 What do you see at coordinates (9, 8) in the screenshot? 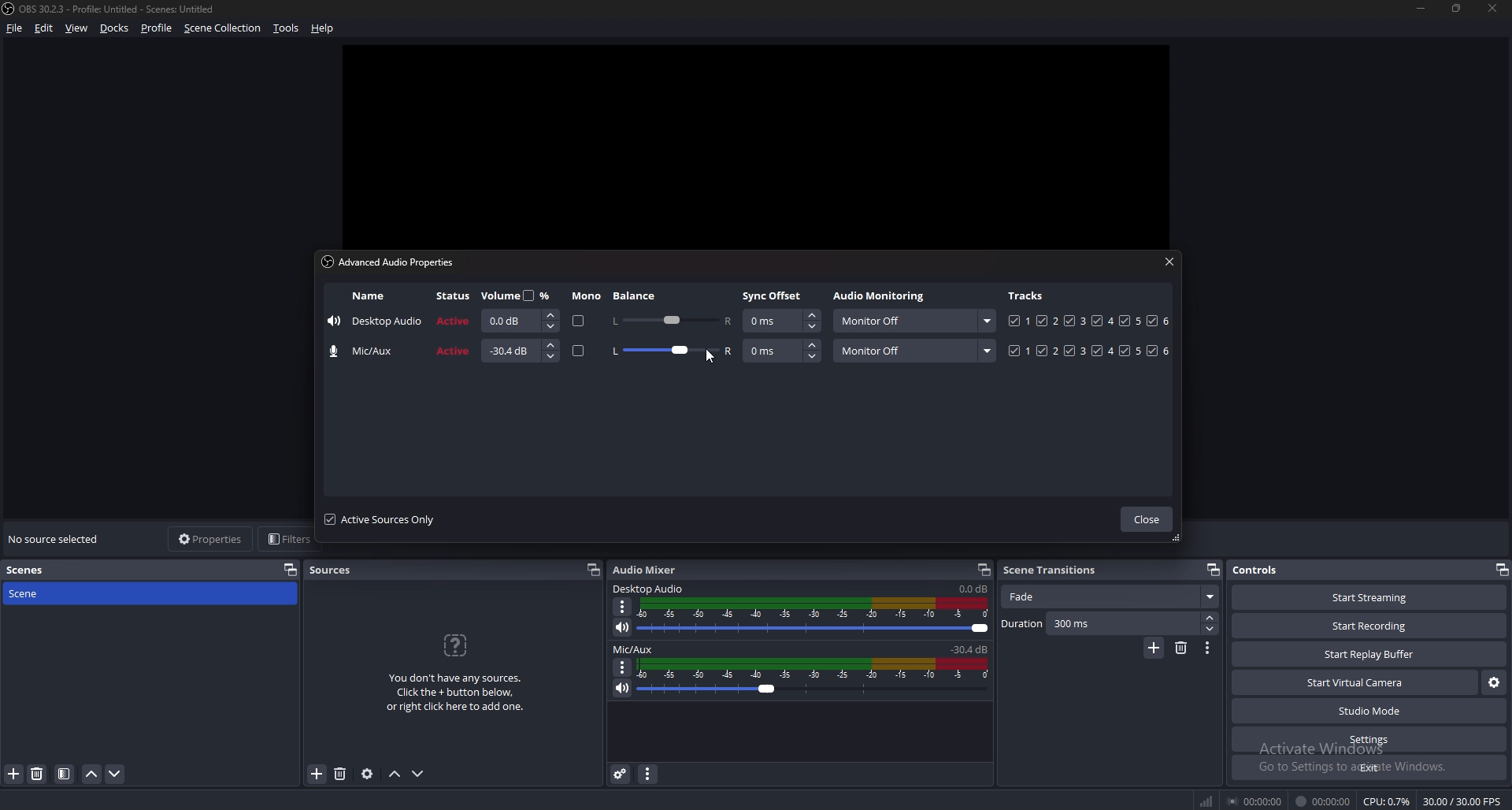
I see `obs logo` at bounding box center [9, 8].